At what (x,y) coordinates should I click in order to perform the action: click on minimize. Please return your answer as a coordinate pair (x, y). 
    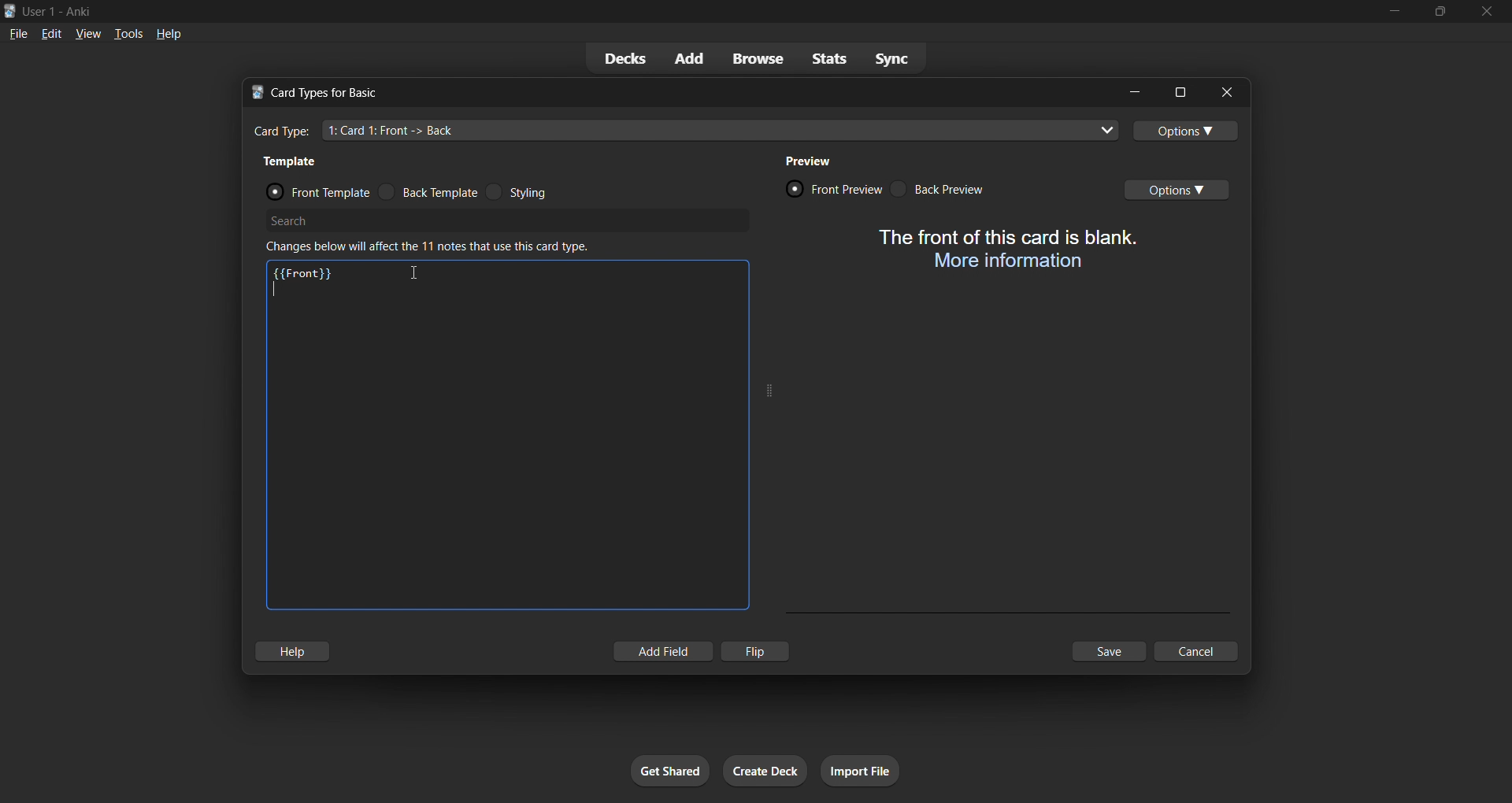
    Looking at the image, I should click on (1133, 92).